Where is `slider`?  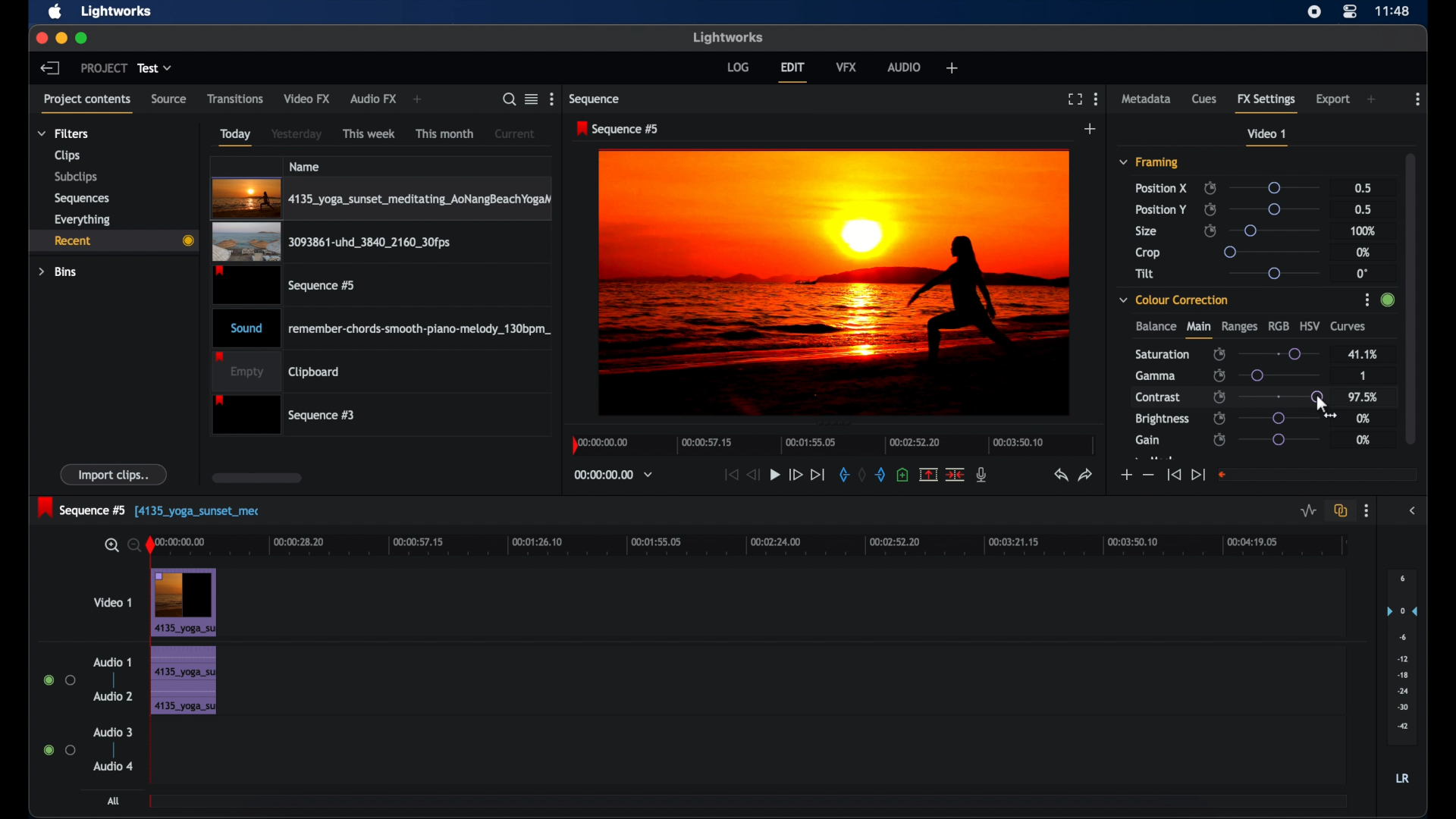
slider is located at coordinates (1279, 418).